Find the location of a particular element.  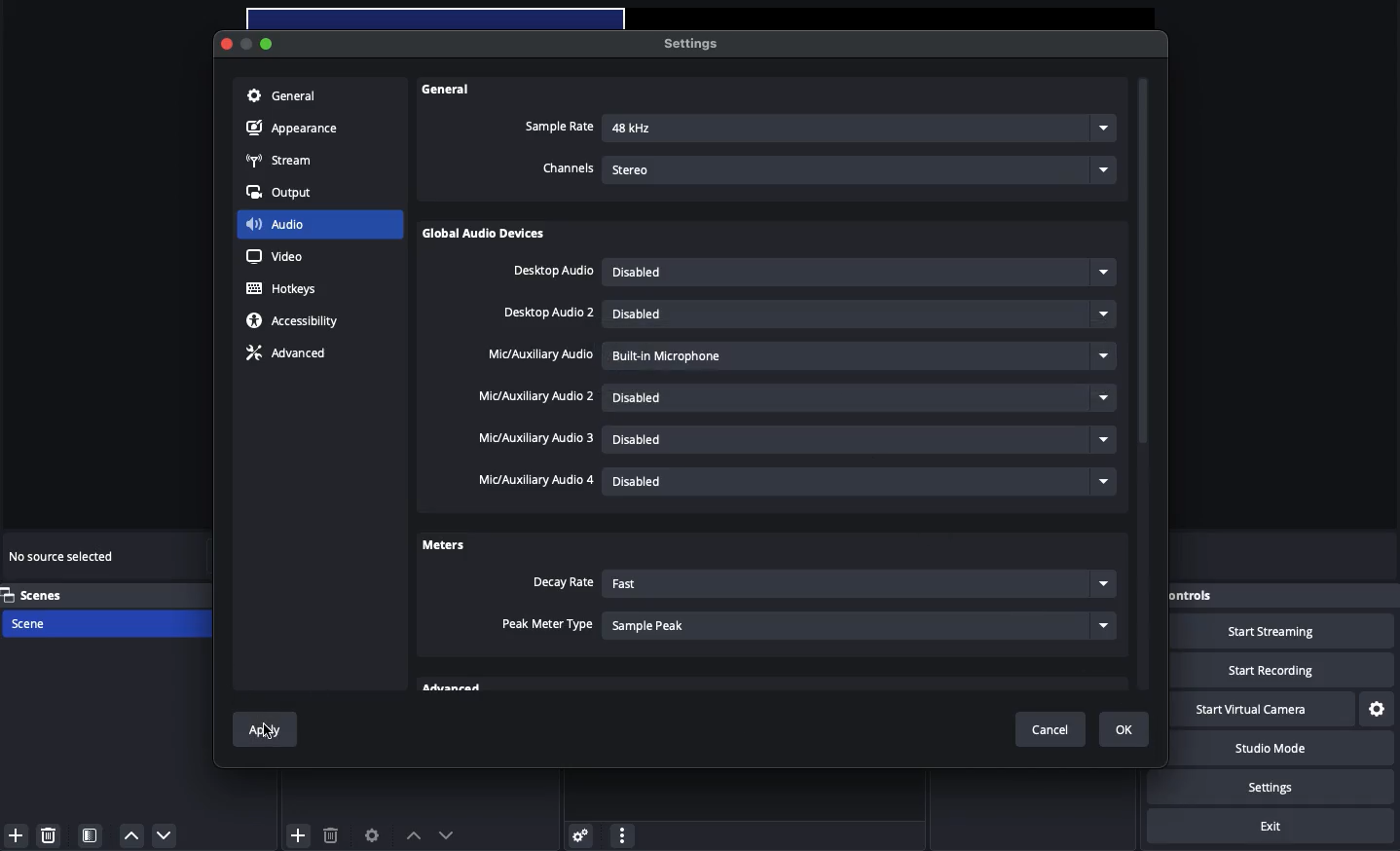

Cancel is located at coordinates (1055, 730).